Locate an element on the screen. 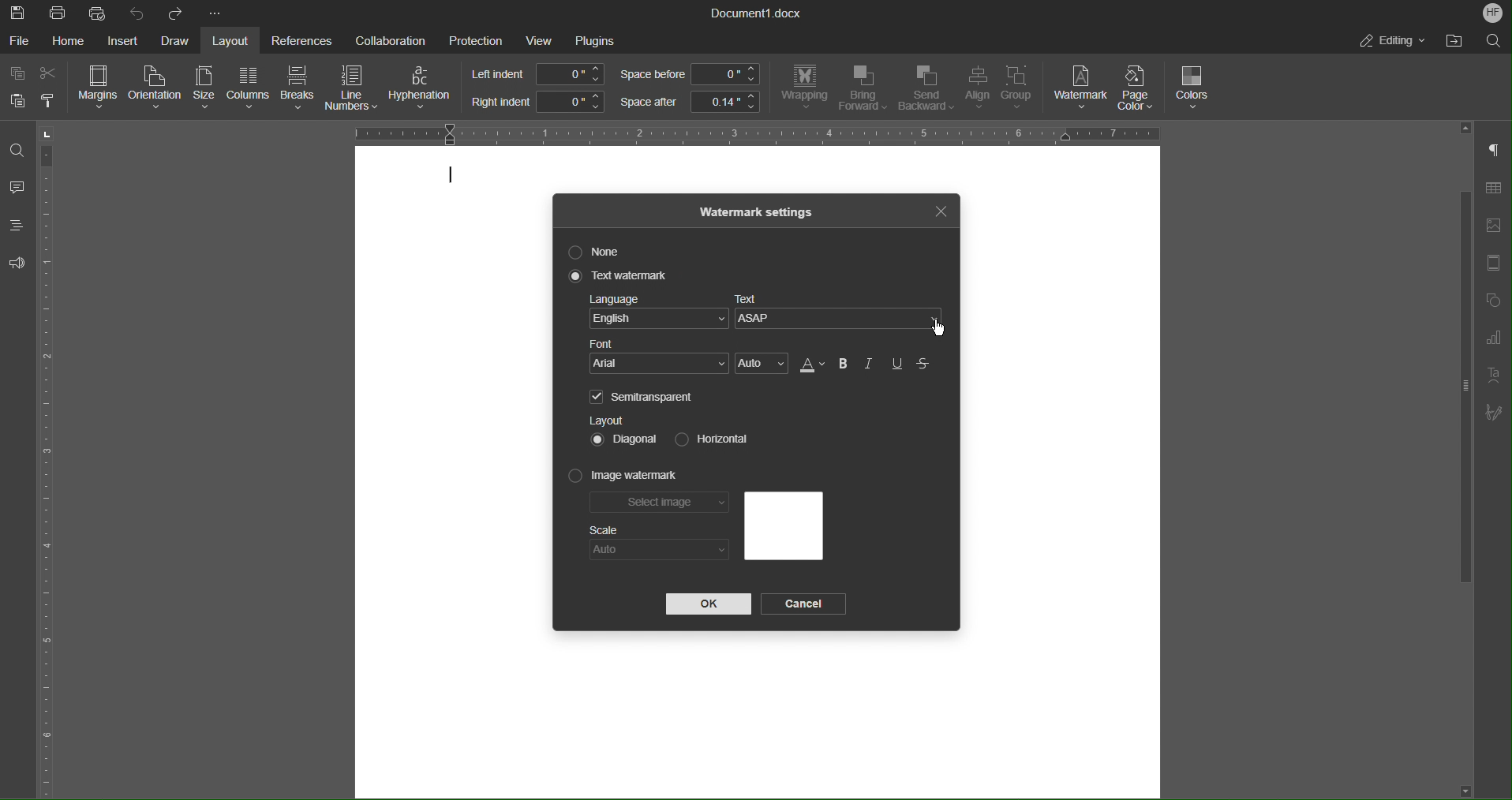  Cancel is located at coordinates (807, 604).